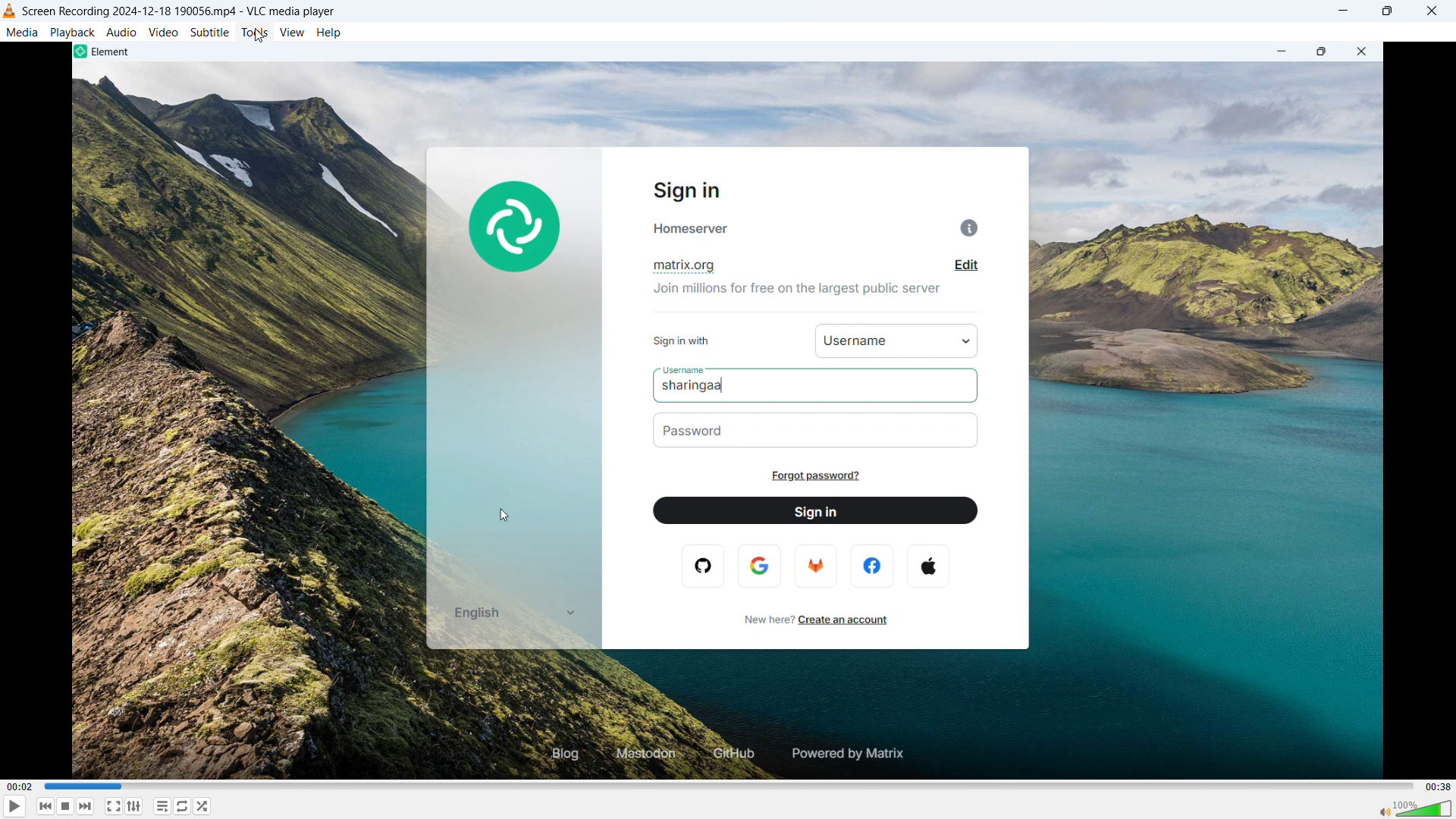 This screenshot has height=819, width=1456. Describe the element at coordinates (1438, 786) in the screenshot. I see `video duration-00.38` at that location.